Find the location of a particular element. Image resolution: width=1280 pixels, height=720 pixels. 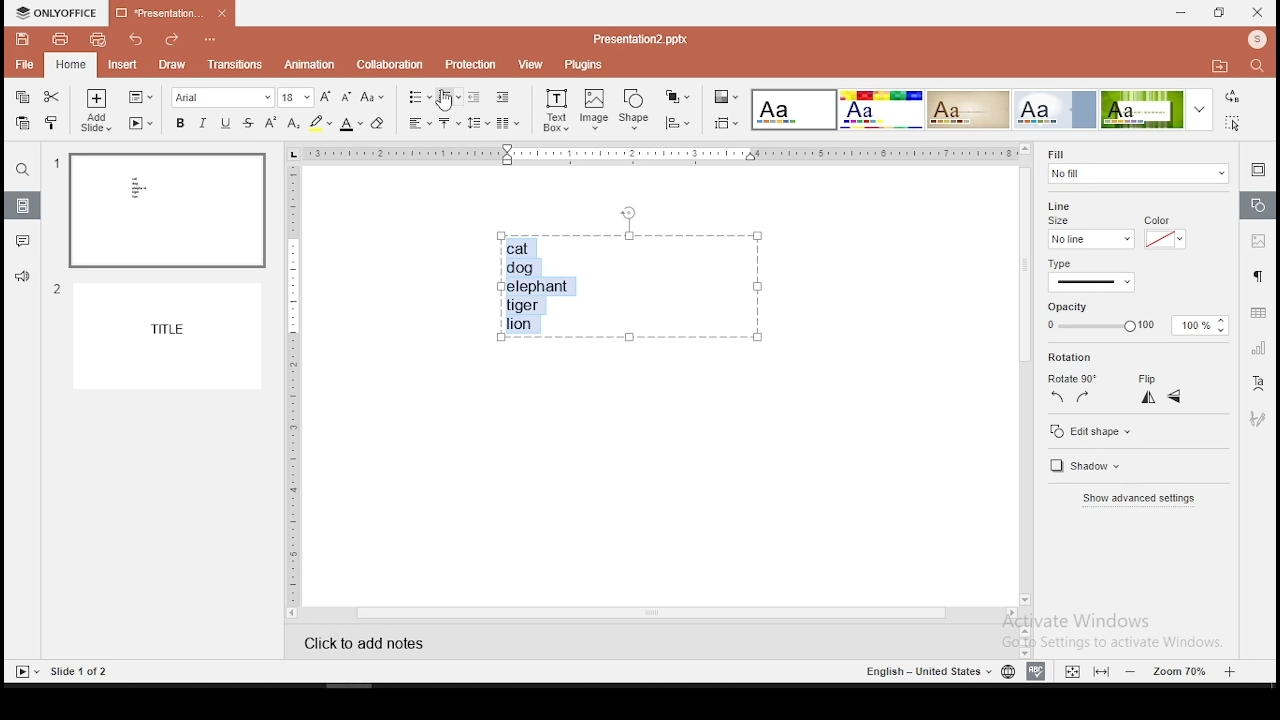

insert is located at coordinates (121, 63).